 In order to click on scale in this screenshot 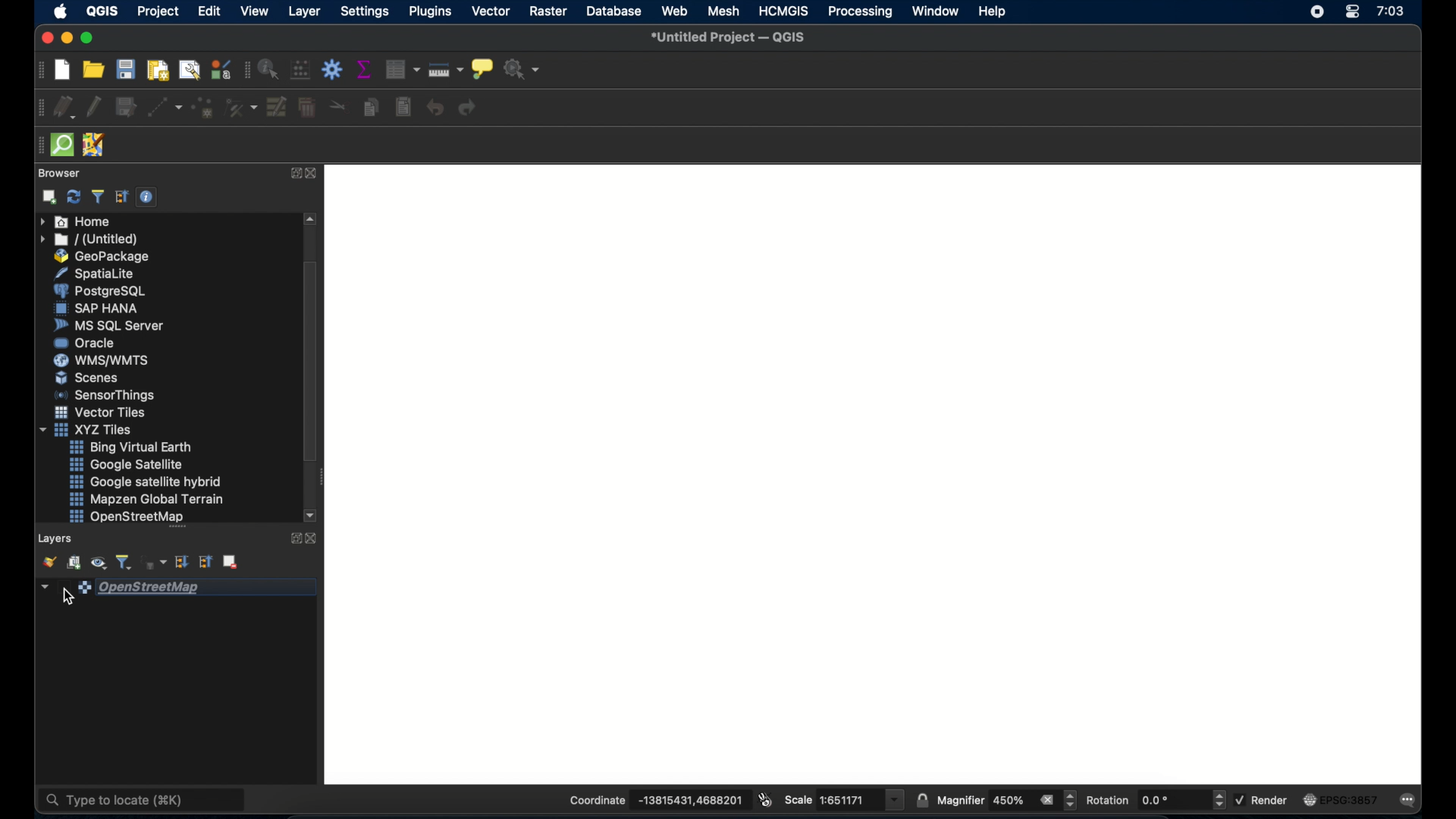, I will do `click(842, 800)`.